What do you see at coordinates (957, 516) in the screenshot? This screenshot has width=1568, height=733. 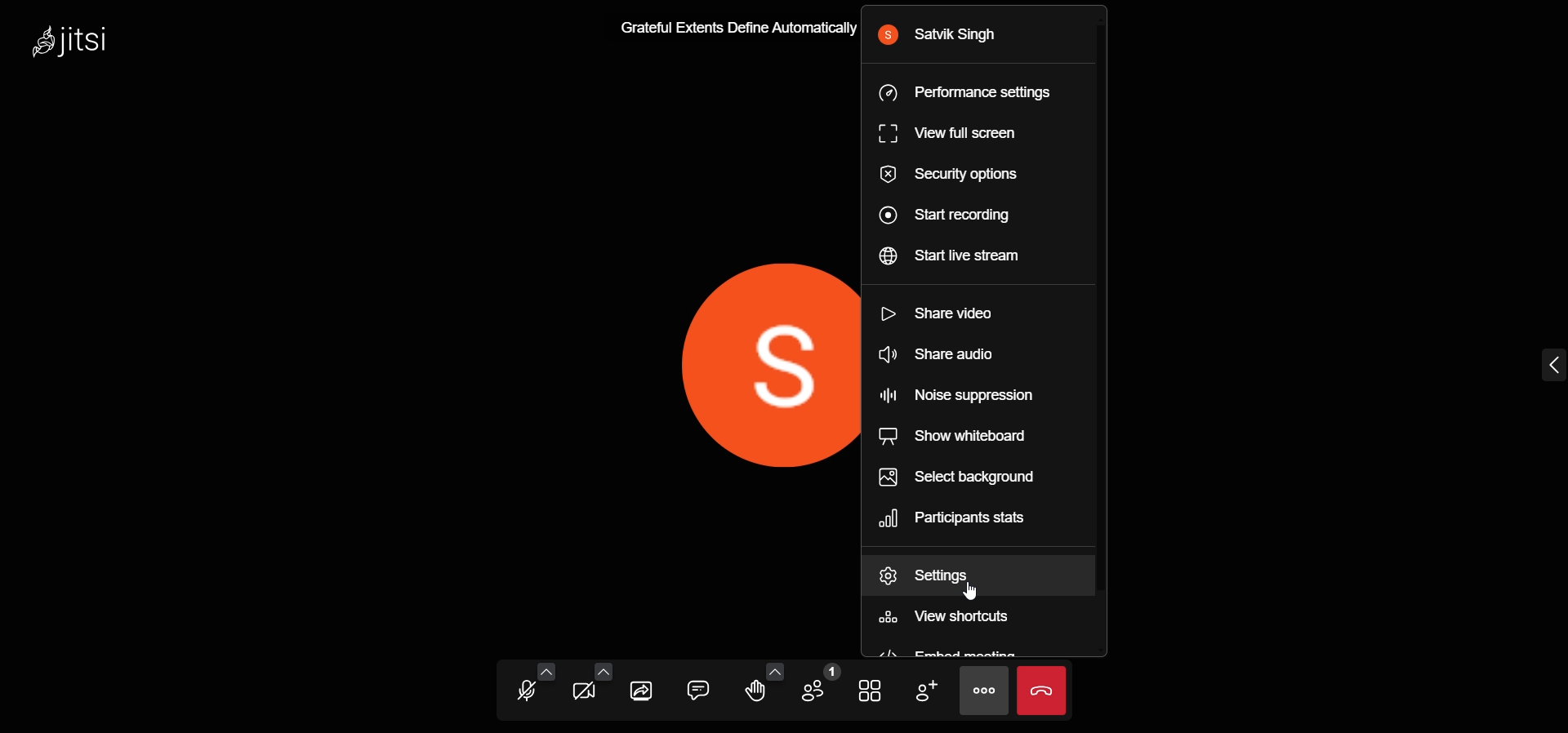 I see `participants stats` at bounding box center [957, 516].